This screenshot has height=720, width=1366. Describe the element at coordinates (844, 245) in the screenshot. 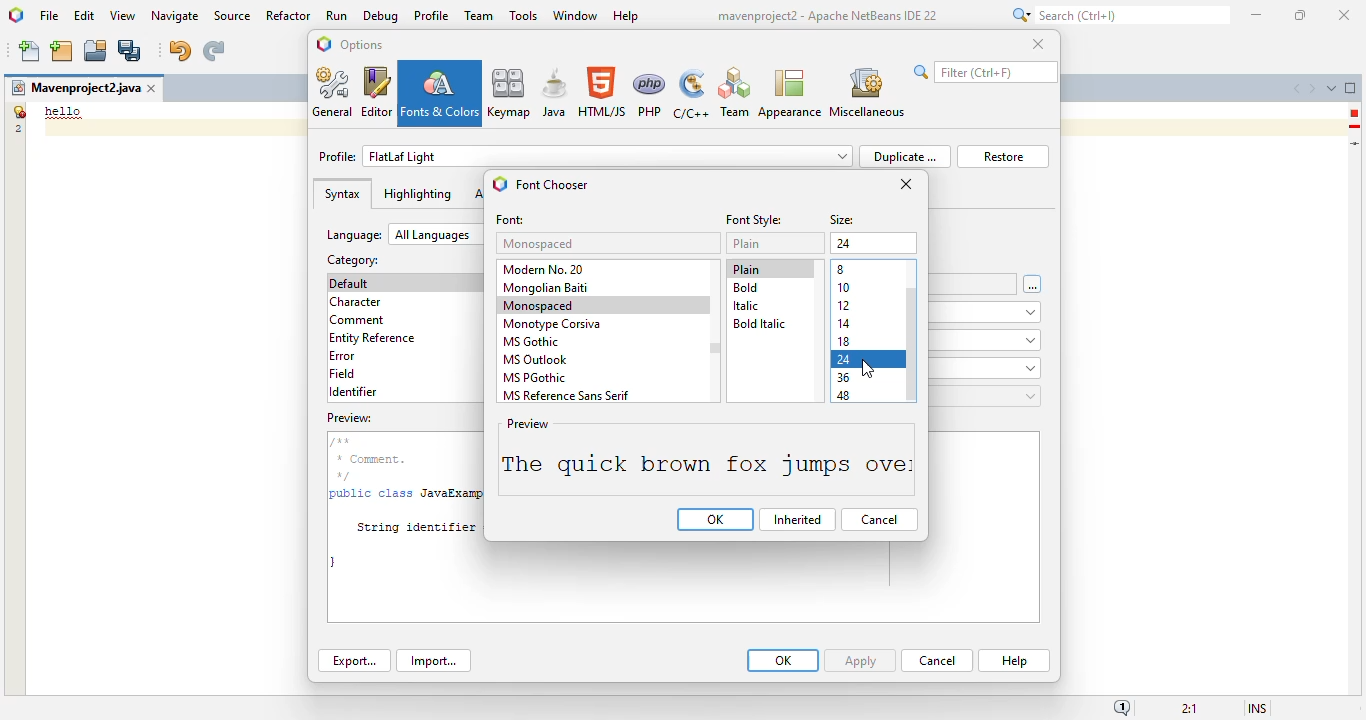

I see `12` at that location.